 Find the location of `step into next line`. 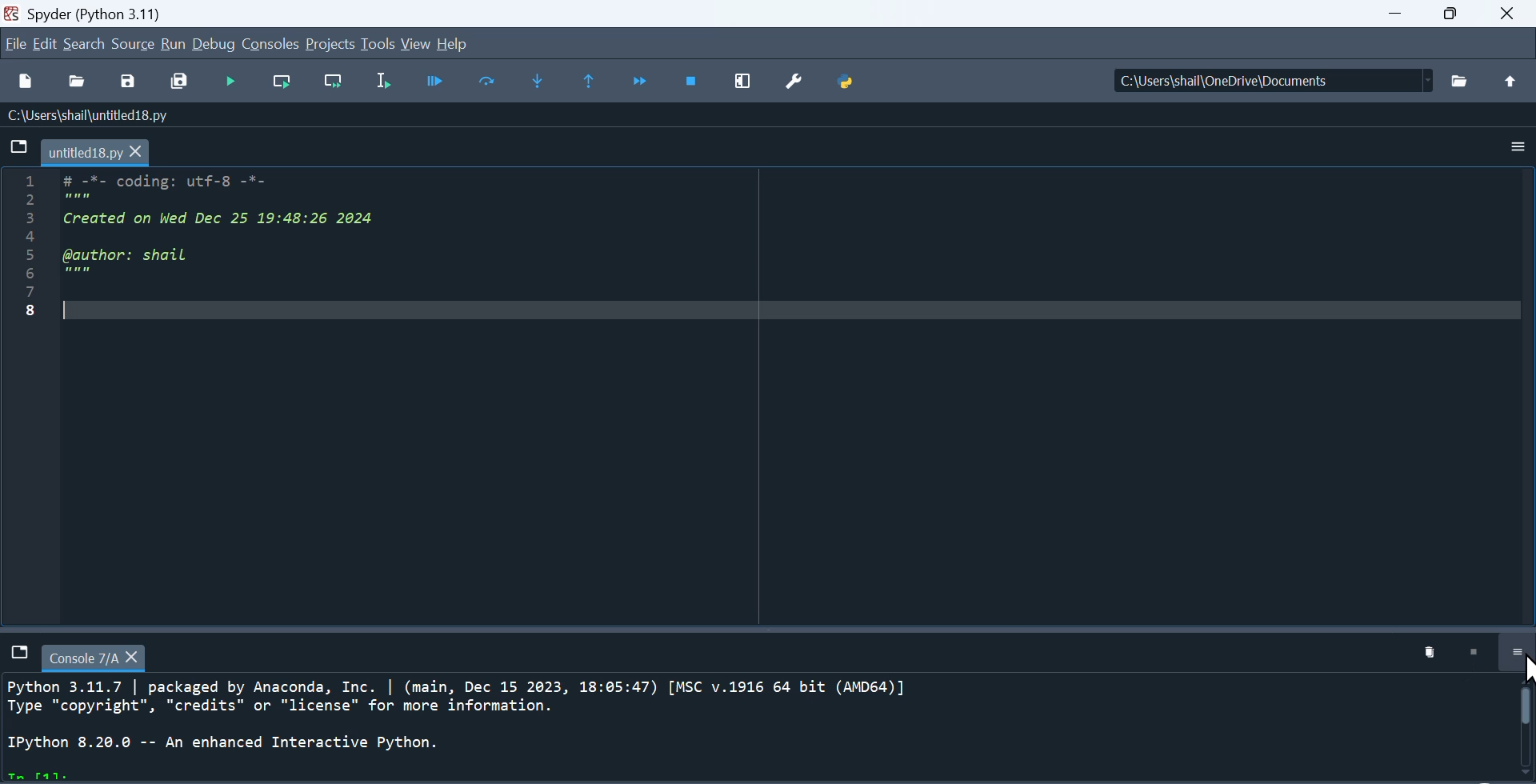

step into next line is located at coordinates (541, 83).